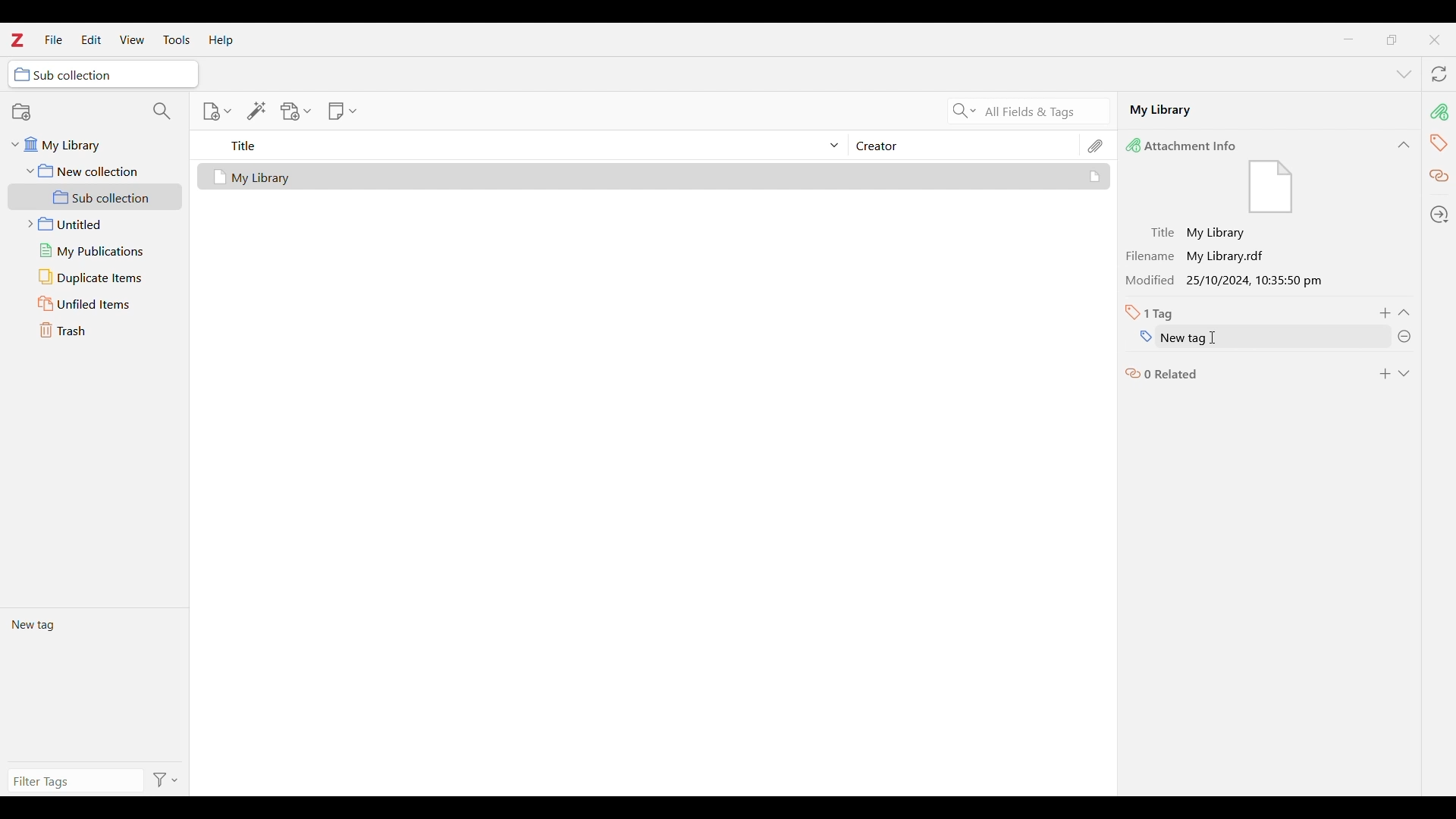  What do you see at coordinates (1200, 256) in the screenshot?
I see `Filename My Library.radt` at bounding box center [1200, 256].